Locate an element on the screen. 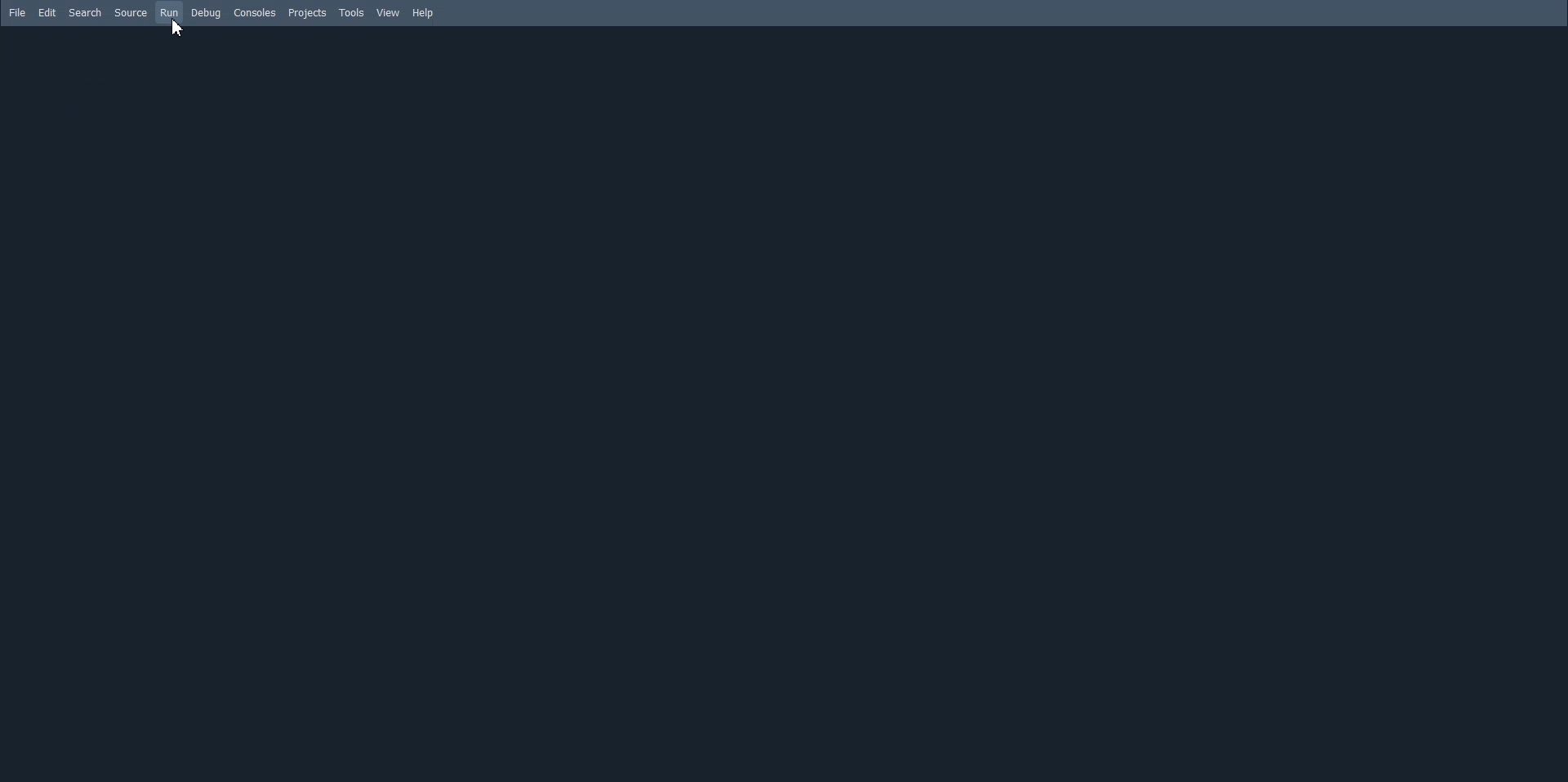 The image size is (1568, 782). Edit is located at coordinates (48, 12).